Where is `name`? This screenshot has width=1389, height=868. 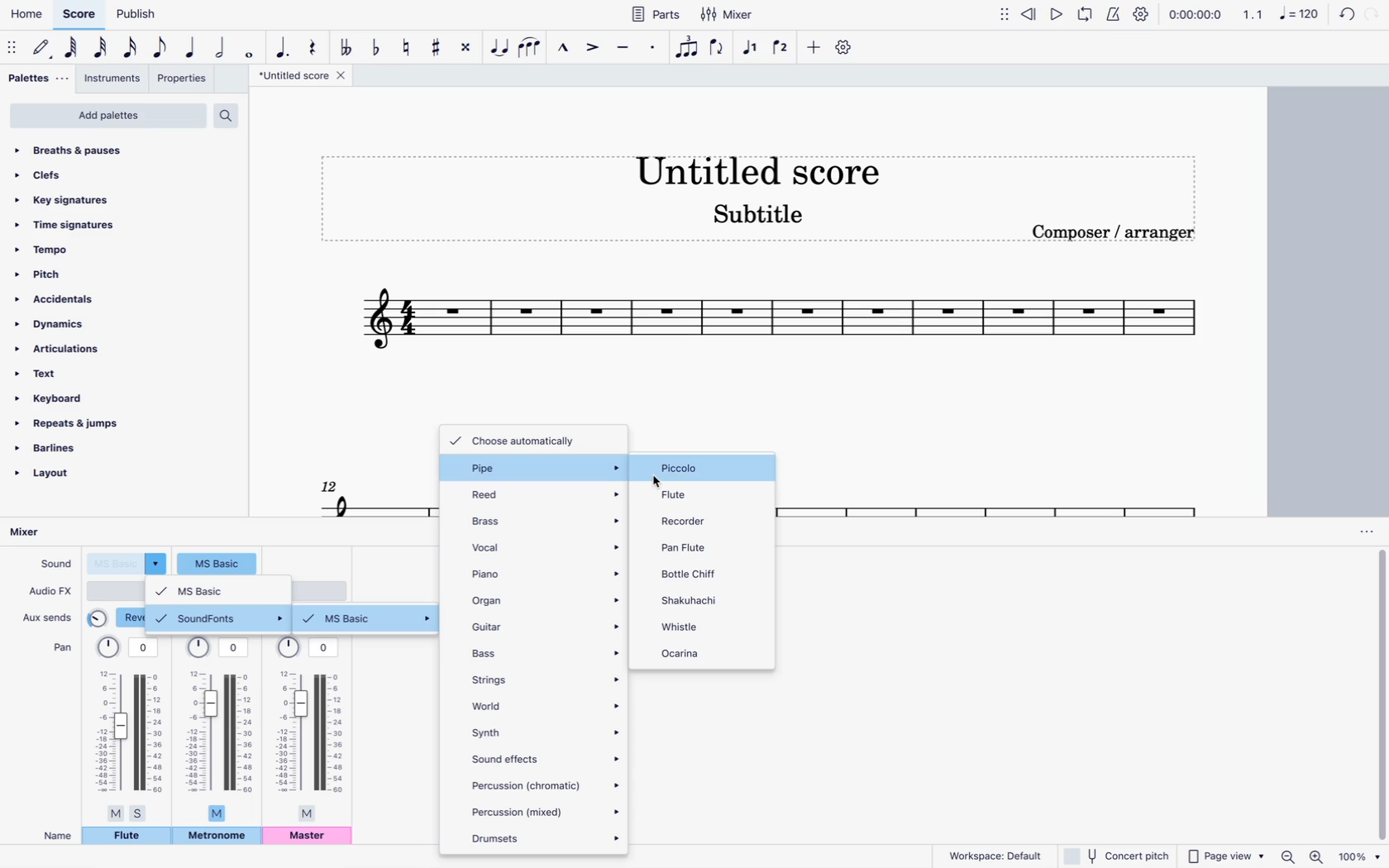 name is located at coordinates (58, 836).